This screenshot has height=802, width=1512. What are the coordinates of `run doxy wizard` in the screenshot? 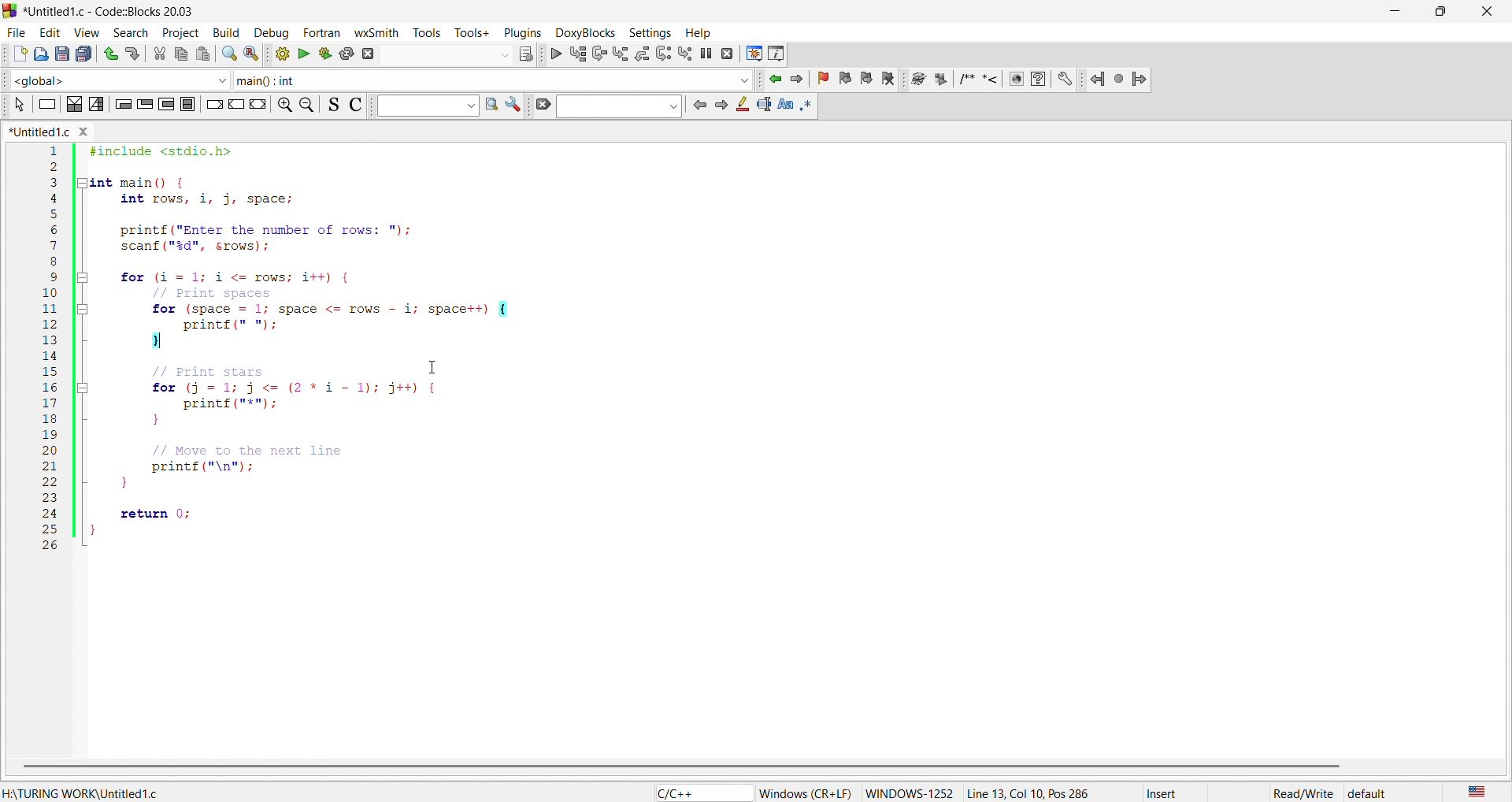 It's located at (917, 79).